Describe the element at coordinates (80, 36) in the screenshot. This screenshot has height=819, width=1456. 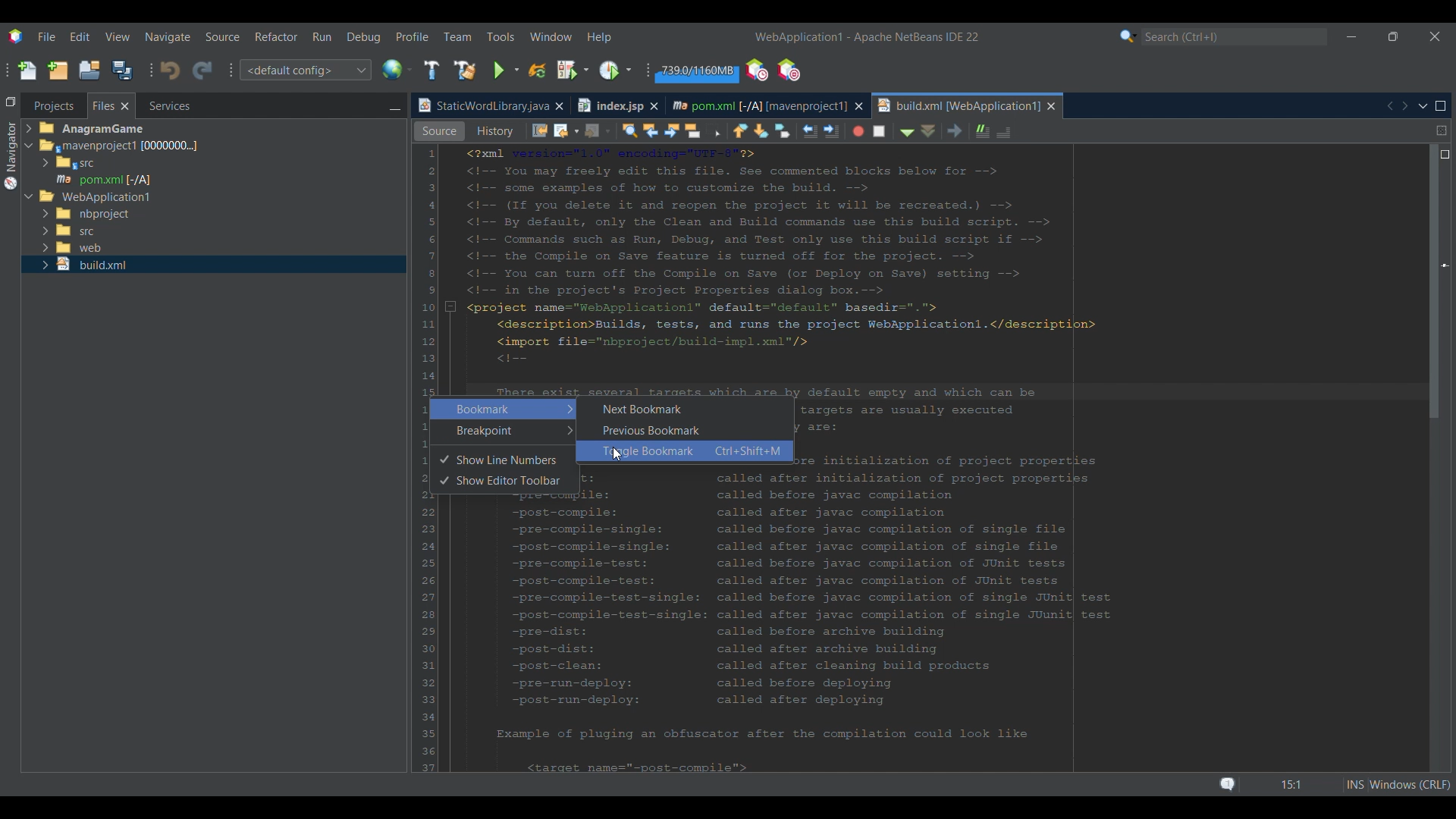
I see `Edit menu` at that location.